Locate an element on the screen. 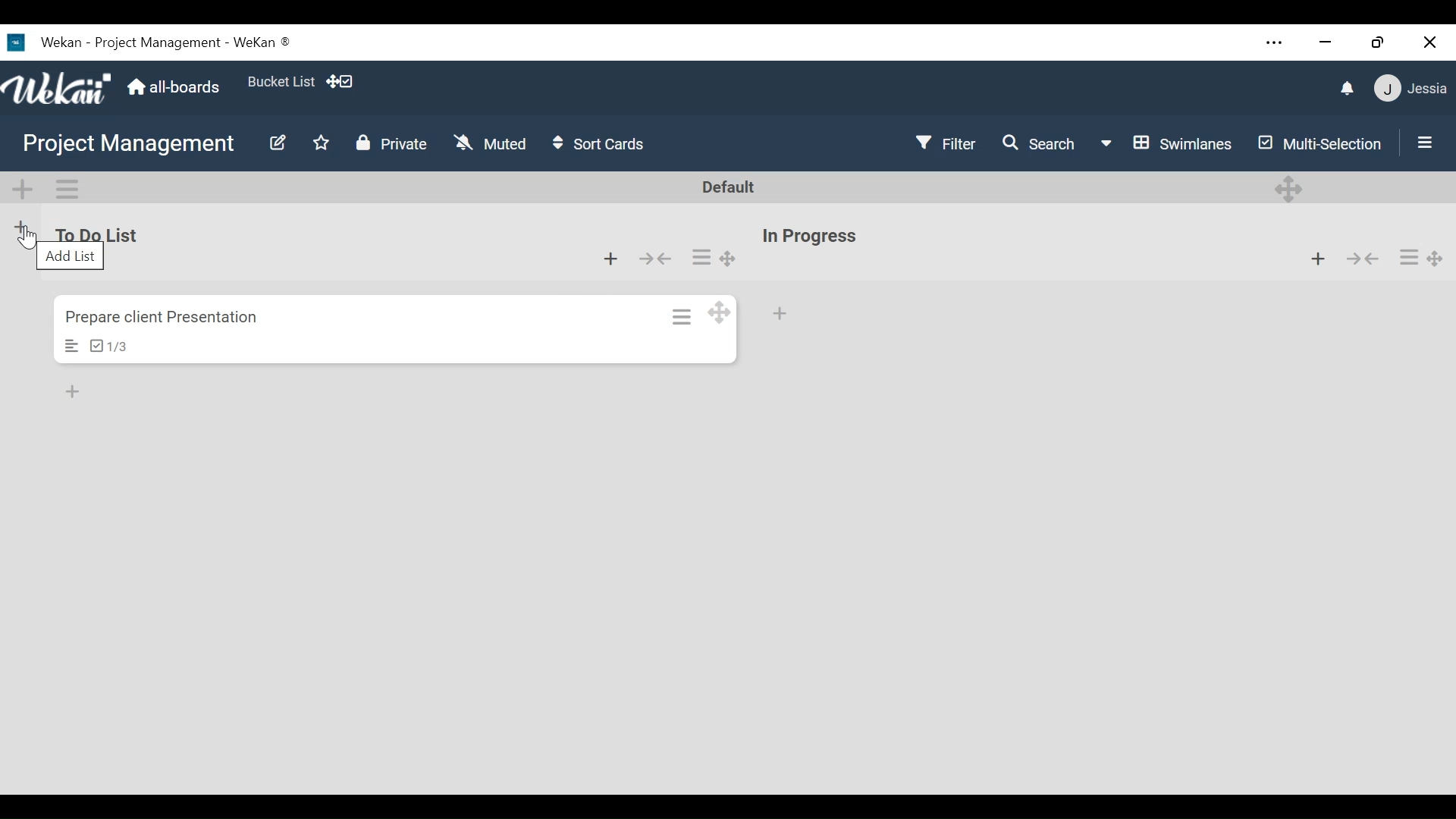 This screenshot has width=1456, height=819. Private is located at coordinates (393, 143).